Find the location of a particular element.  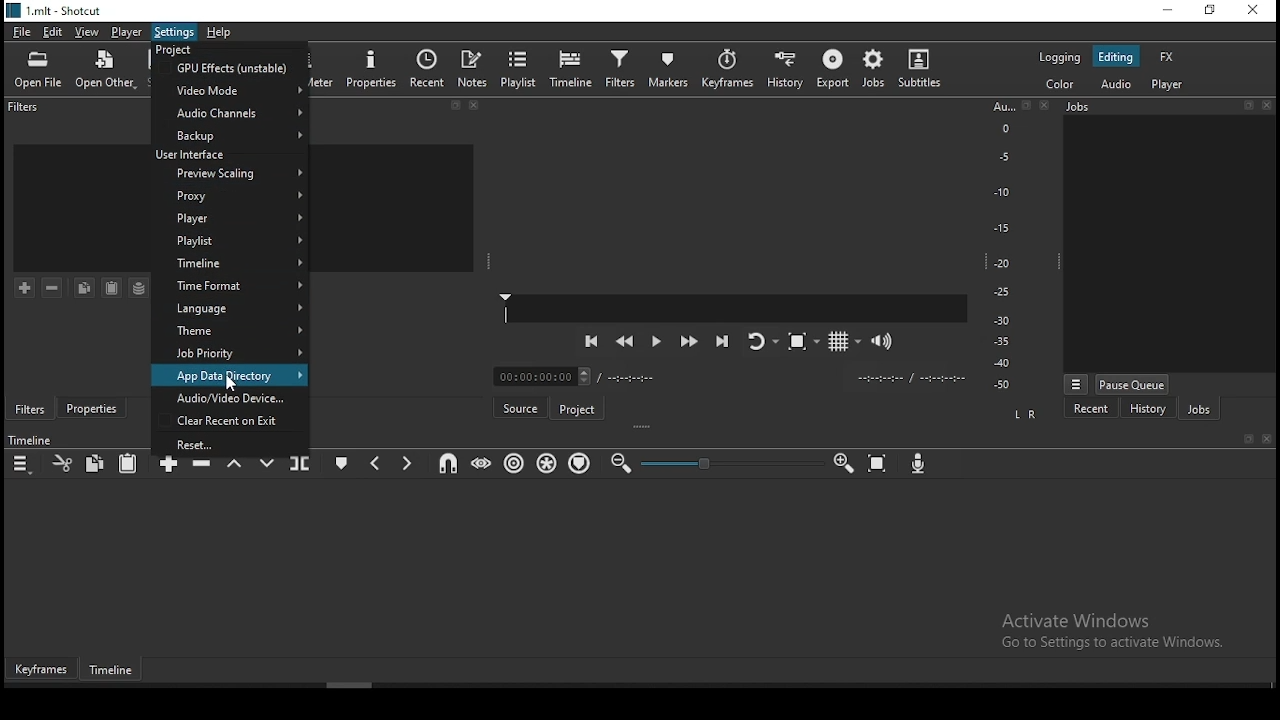

reset is located at coordinates (230, 441).